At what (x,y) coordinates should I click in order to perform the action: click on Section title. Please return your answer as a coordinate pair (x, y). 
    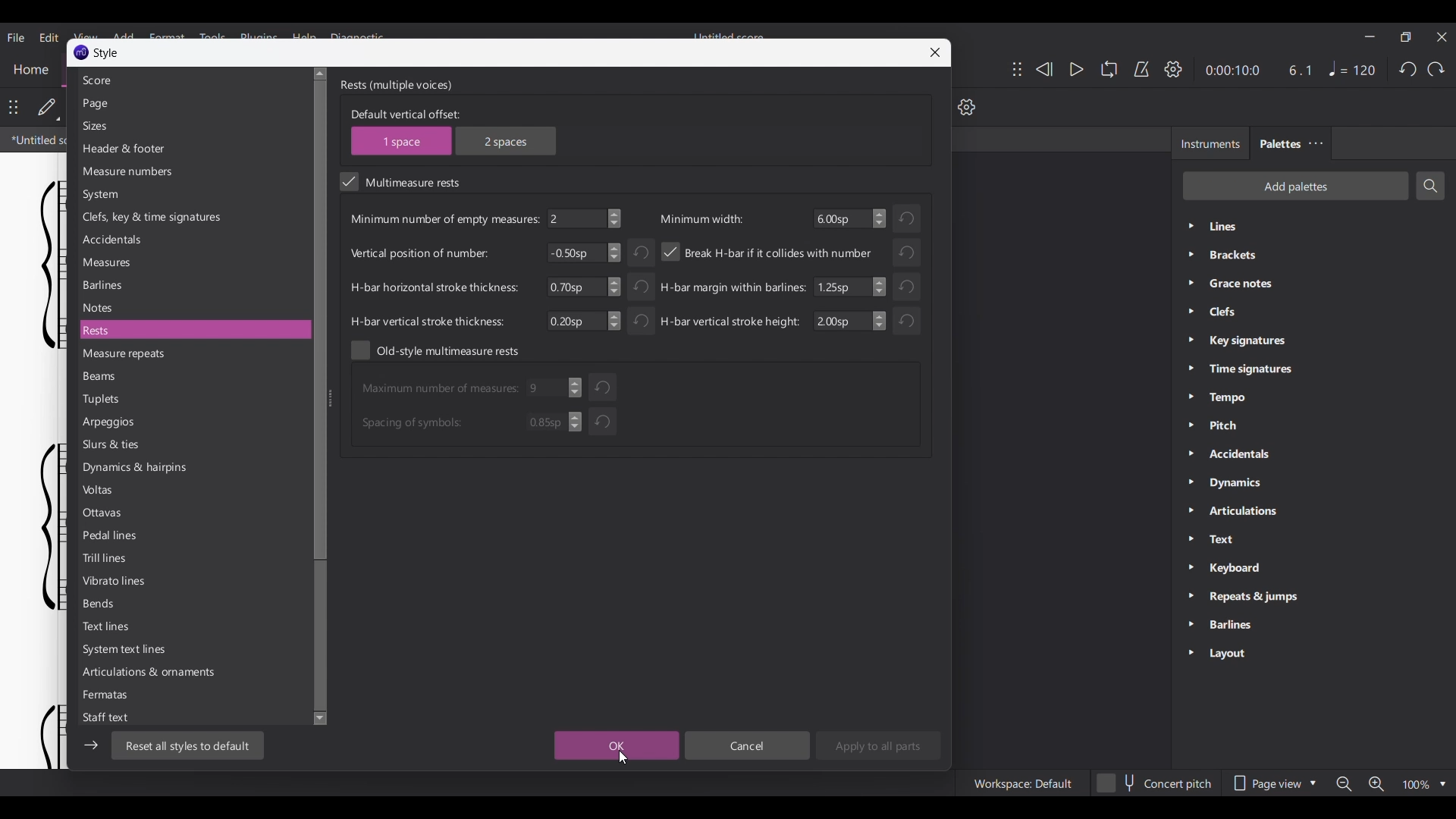
    Looking at the image, I should click on (397, 86).